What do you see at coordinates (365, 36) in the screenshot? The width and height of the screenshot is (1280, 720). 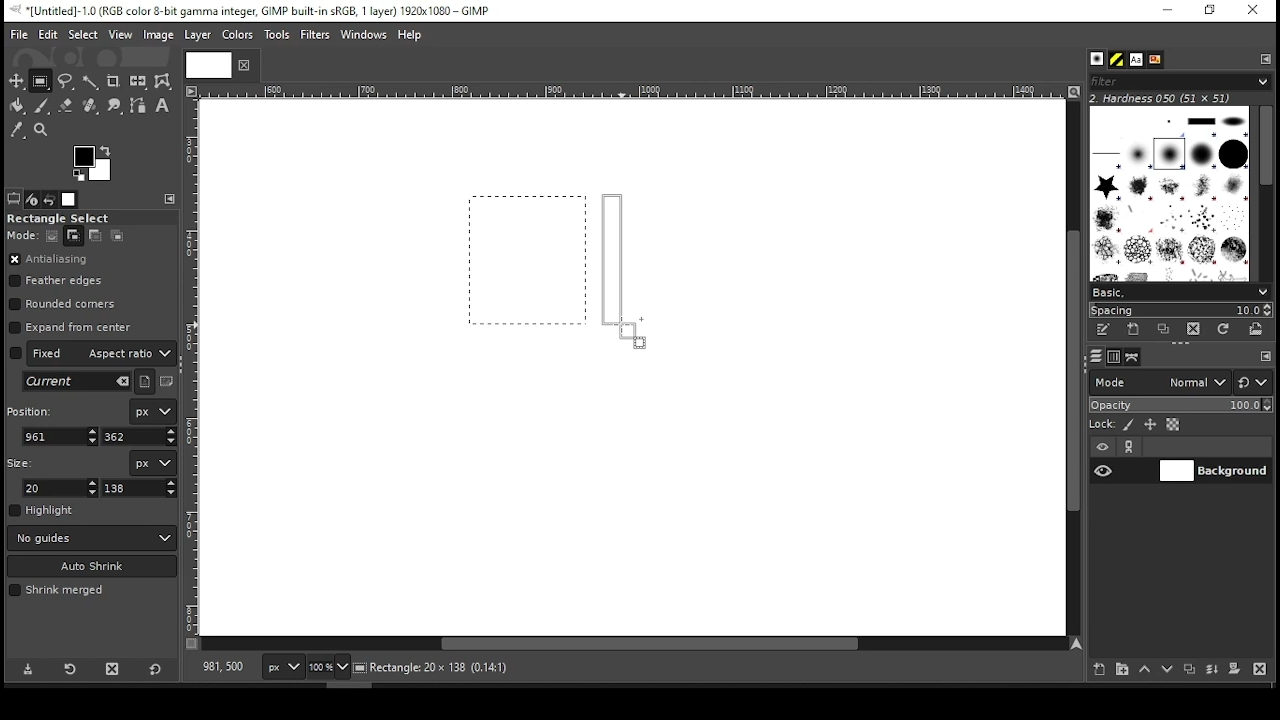 I see `windows` at bounding box center [365, 36].